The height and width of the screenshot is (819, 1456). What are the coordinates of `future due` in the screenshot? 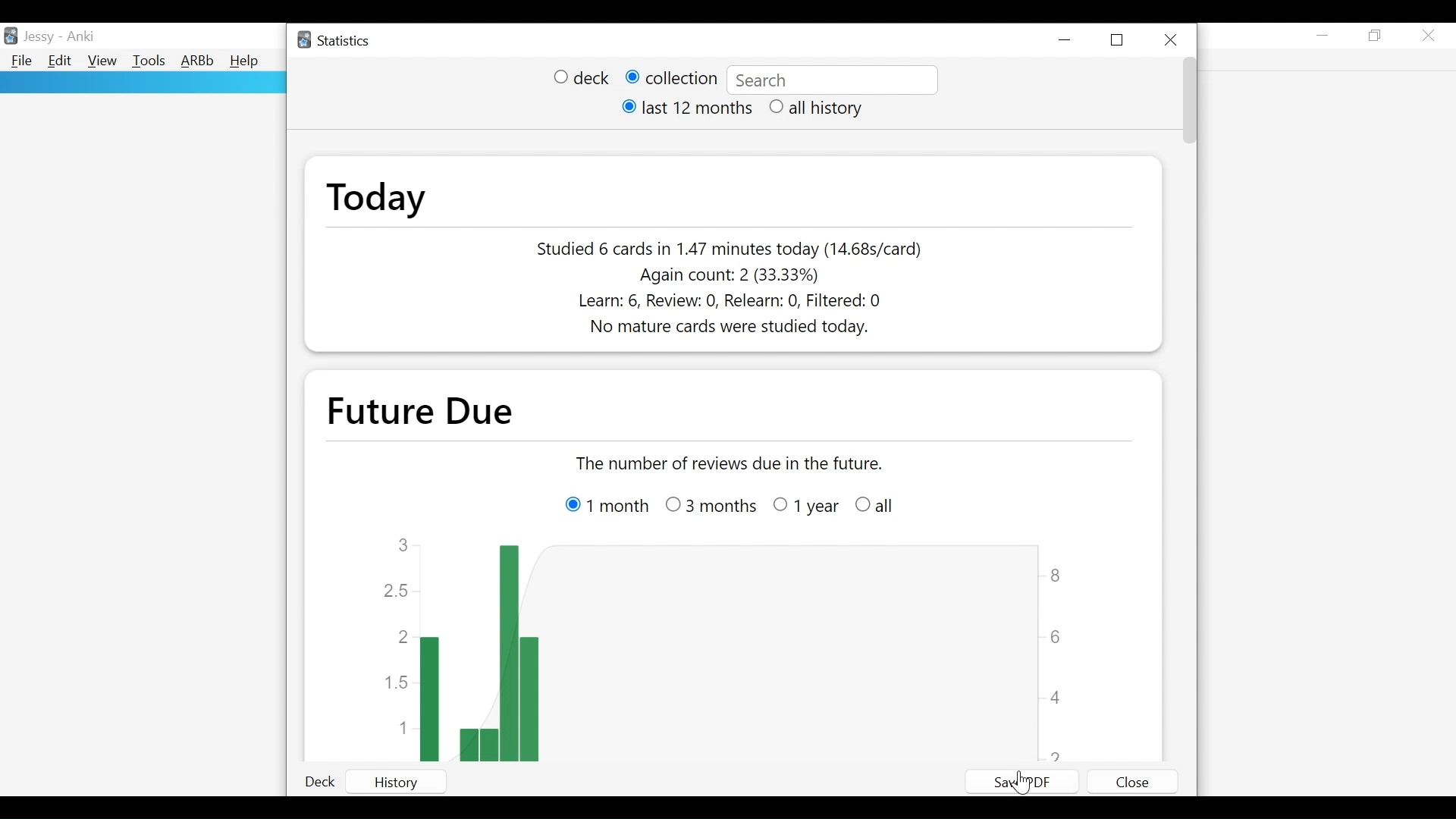 It's located at (437, 411).